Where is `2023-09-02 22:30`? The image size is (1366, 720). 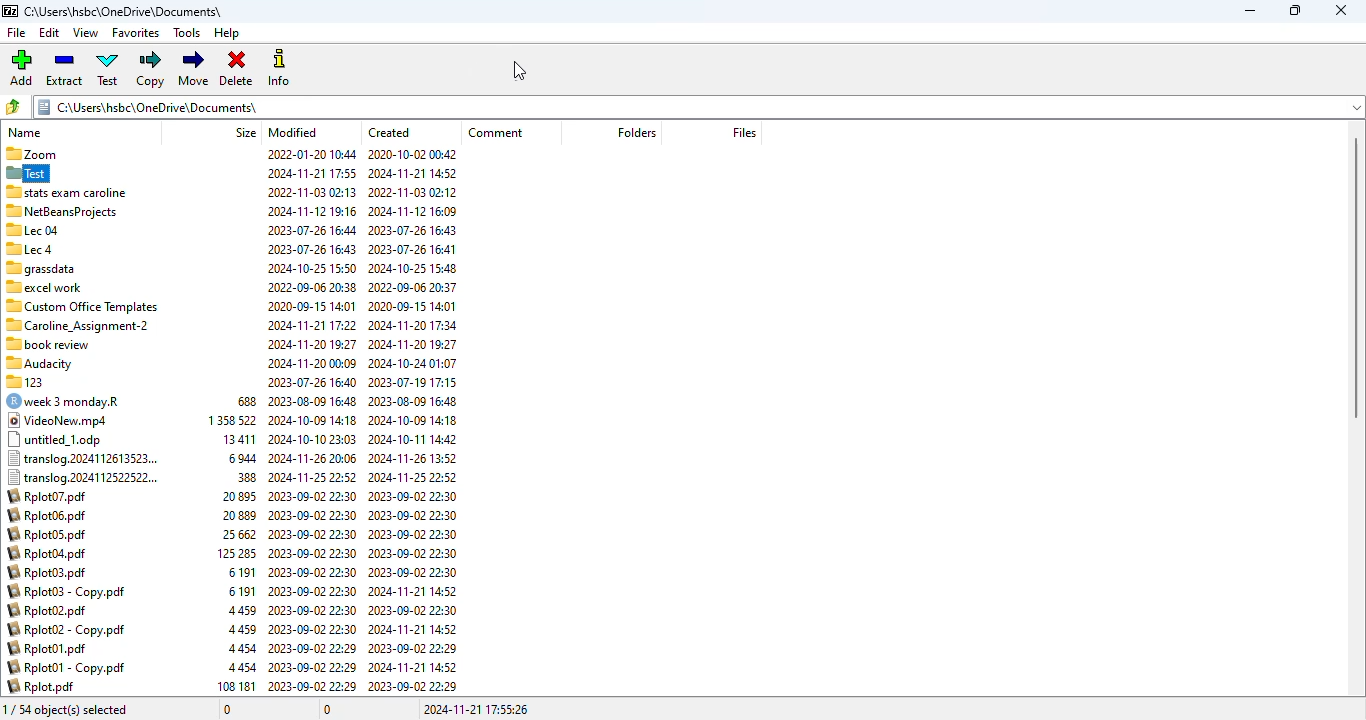 2023-09-02 22:30 is located at coordinates (312, 515).